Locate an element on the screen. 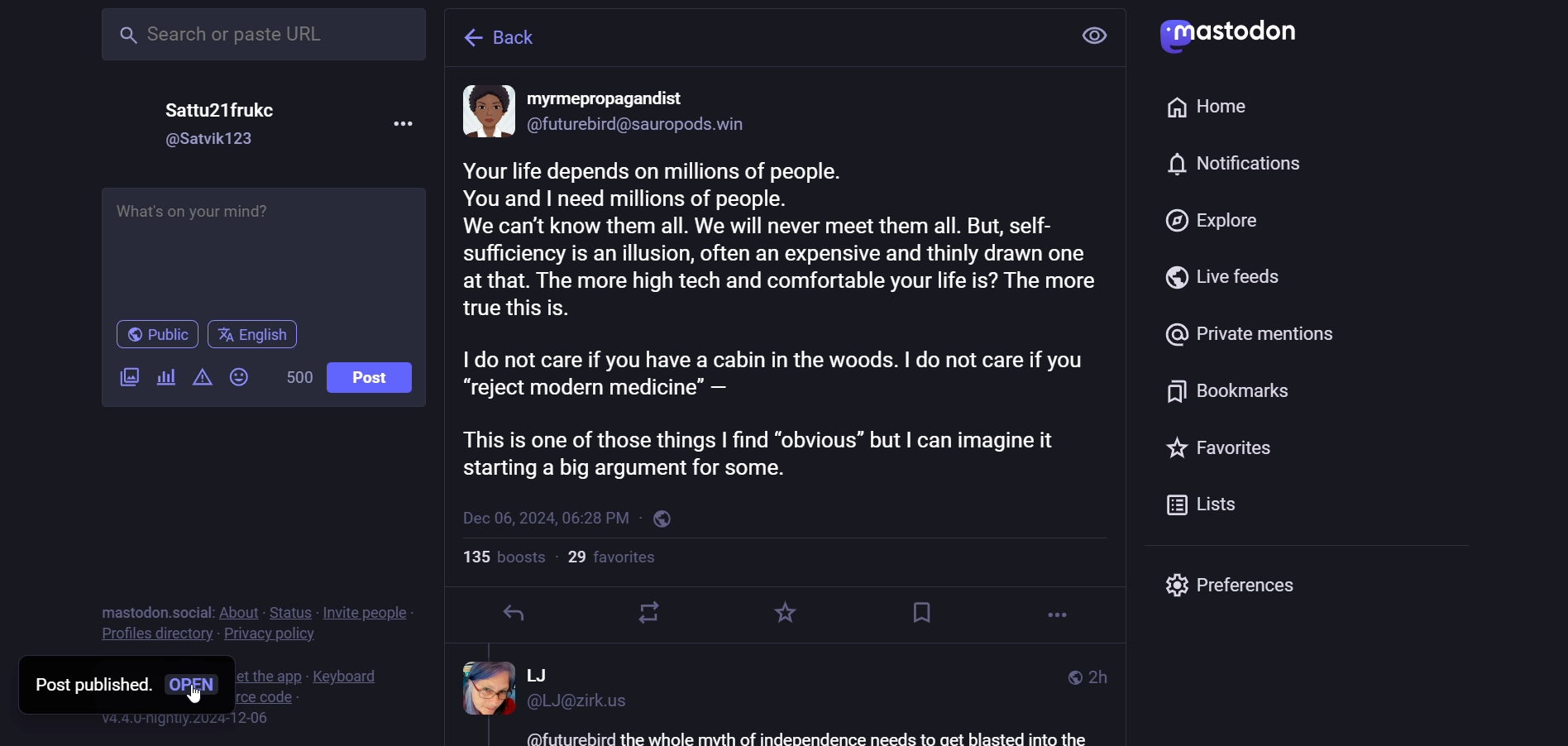 This screenshot has height=746, width=1568. cursor is located at coordinates (382, 538).